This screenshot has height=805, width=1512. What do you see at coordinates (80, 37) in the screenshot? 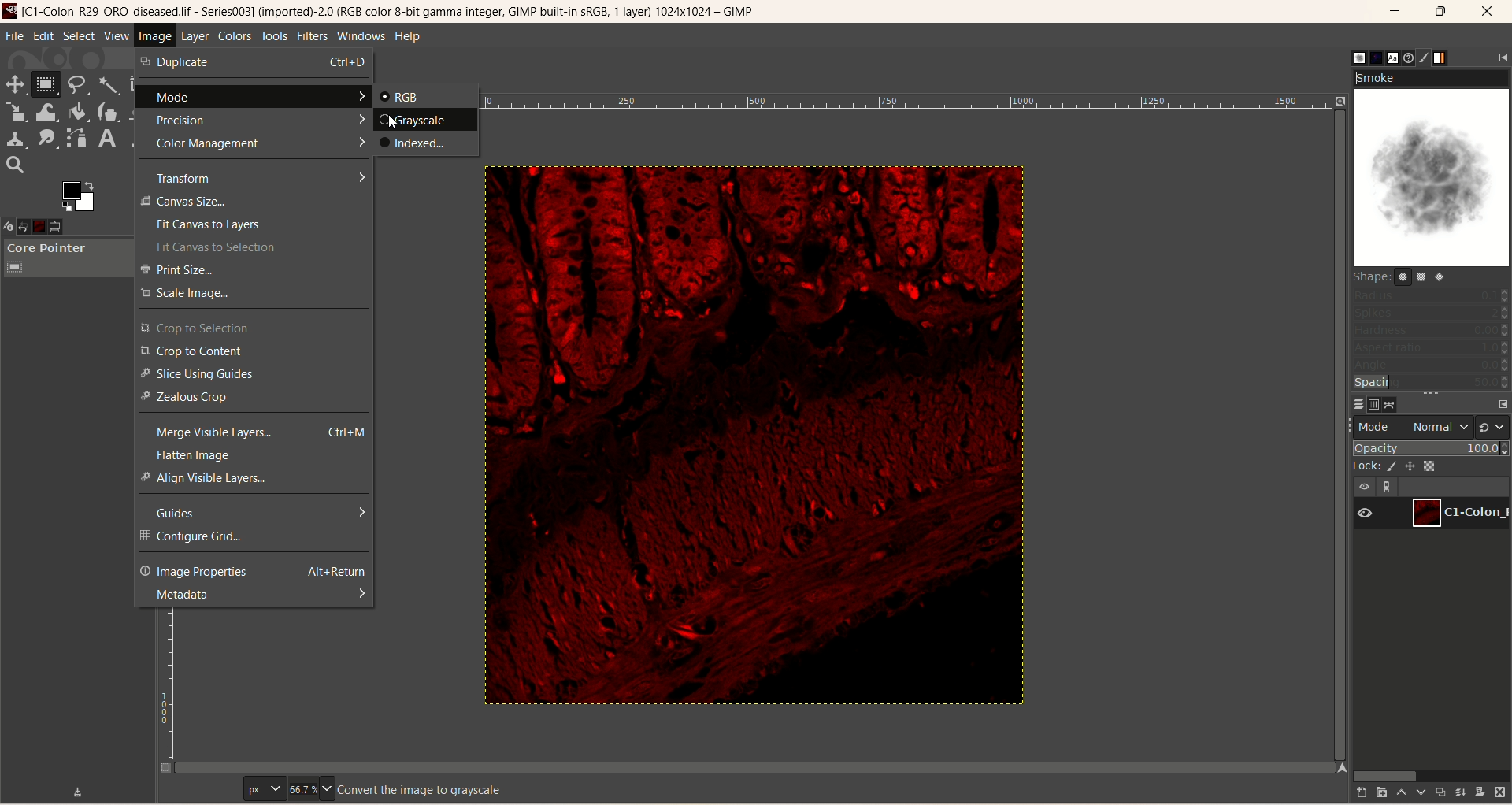
I see `select` at bounding box center [80, 37].